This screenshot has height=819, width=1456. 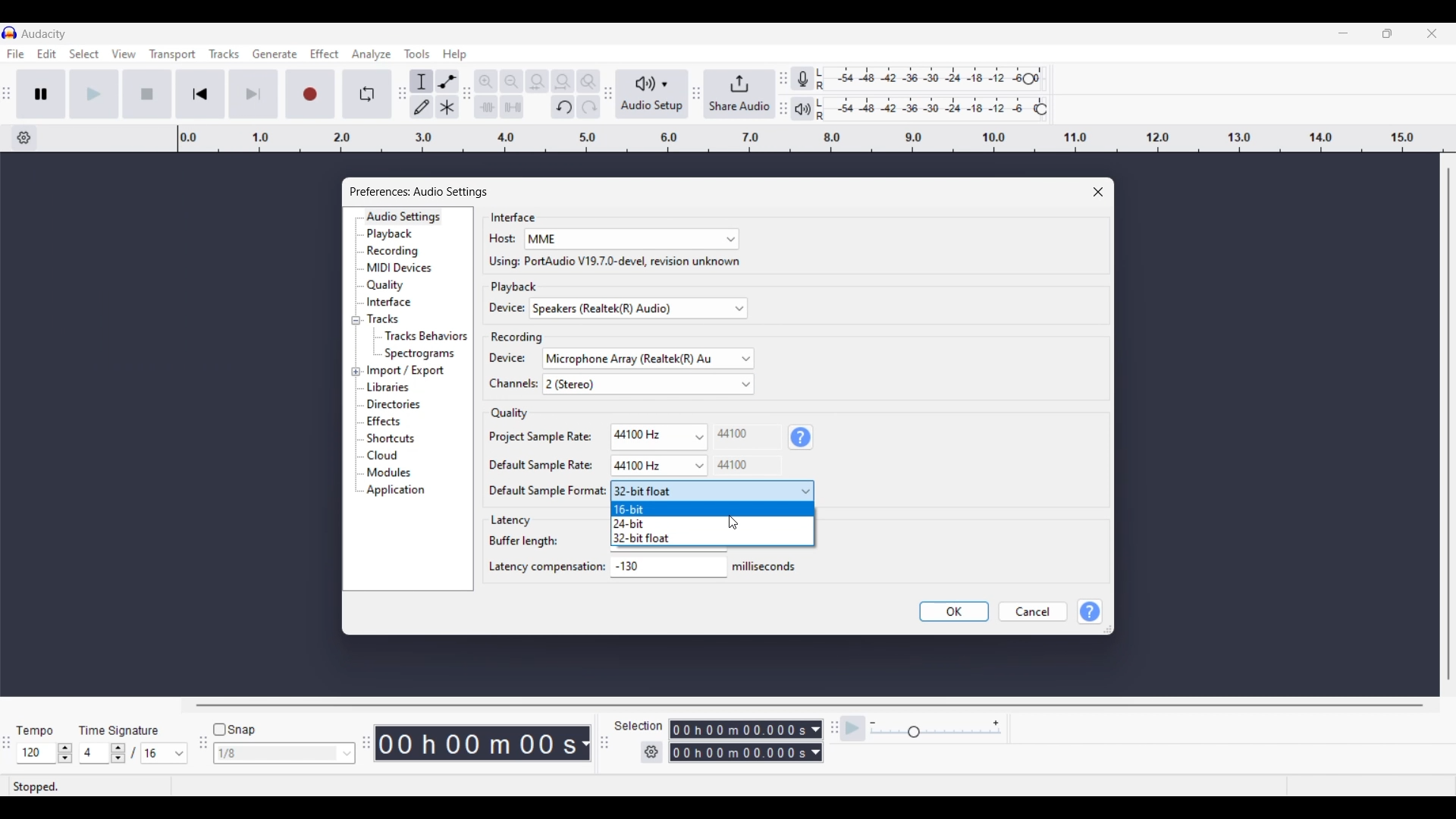 What do you see at coordinates (348, 754) in the screenshot?
I see `Snap options to choose from` at bounding box center [348, 754].